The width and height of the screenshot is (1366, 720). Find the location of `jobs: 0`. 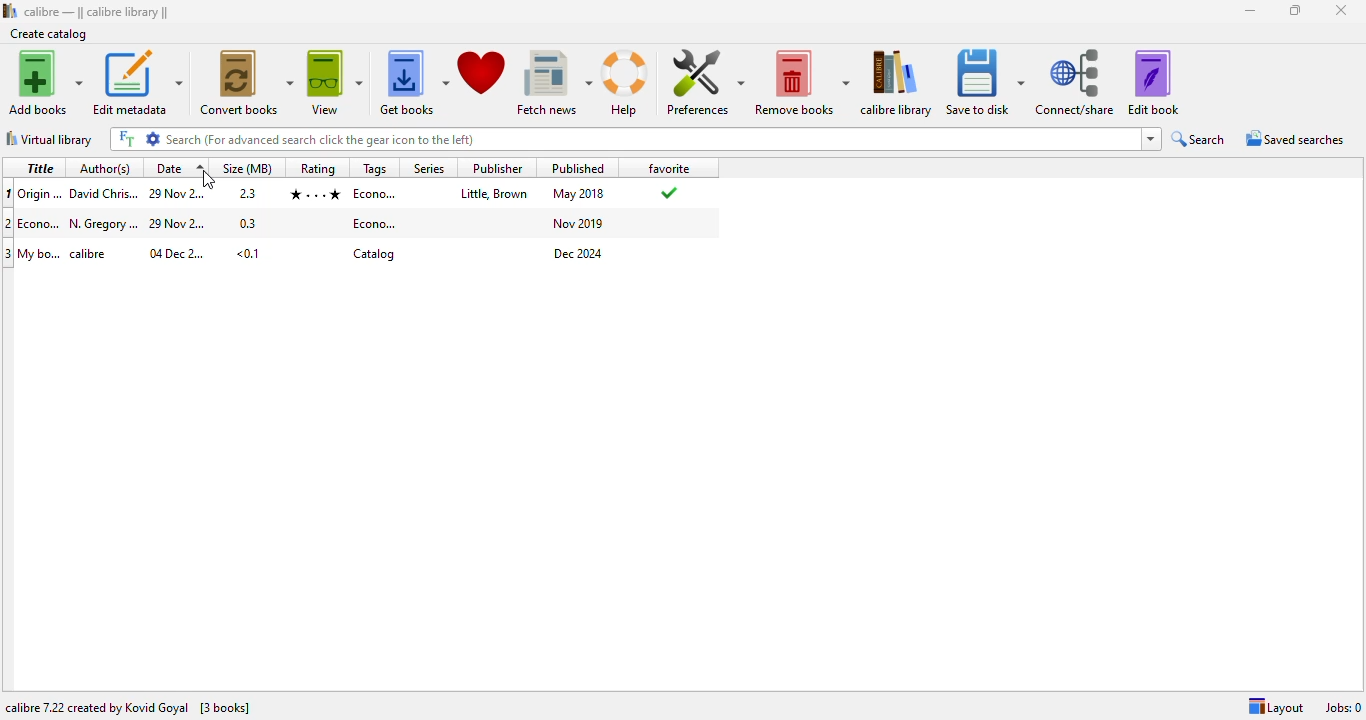

jobs: 0 is located at coordinates (1343, 708).